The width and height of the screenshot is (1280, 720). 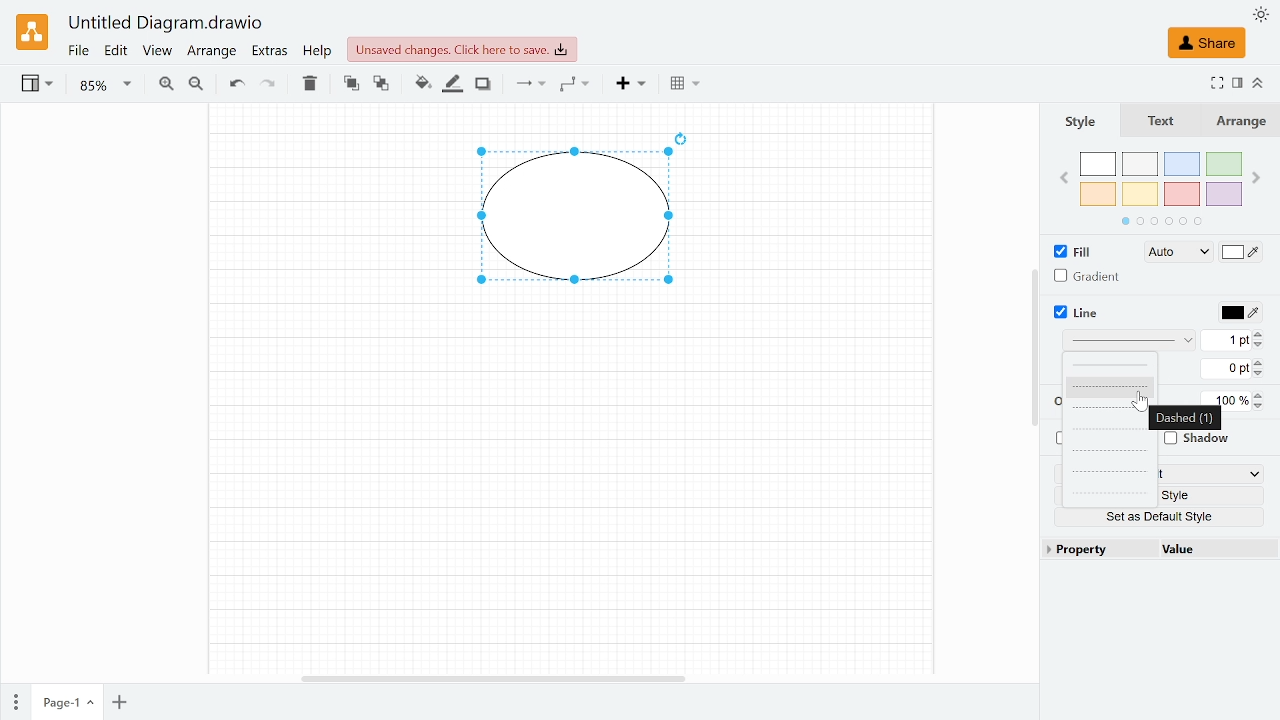 What do you see at coordinates (1112, 430) in the screenshot?
I see `Dashed 3` at bounding box center [1112, 430].